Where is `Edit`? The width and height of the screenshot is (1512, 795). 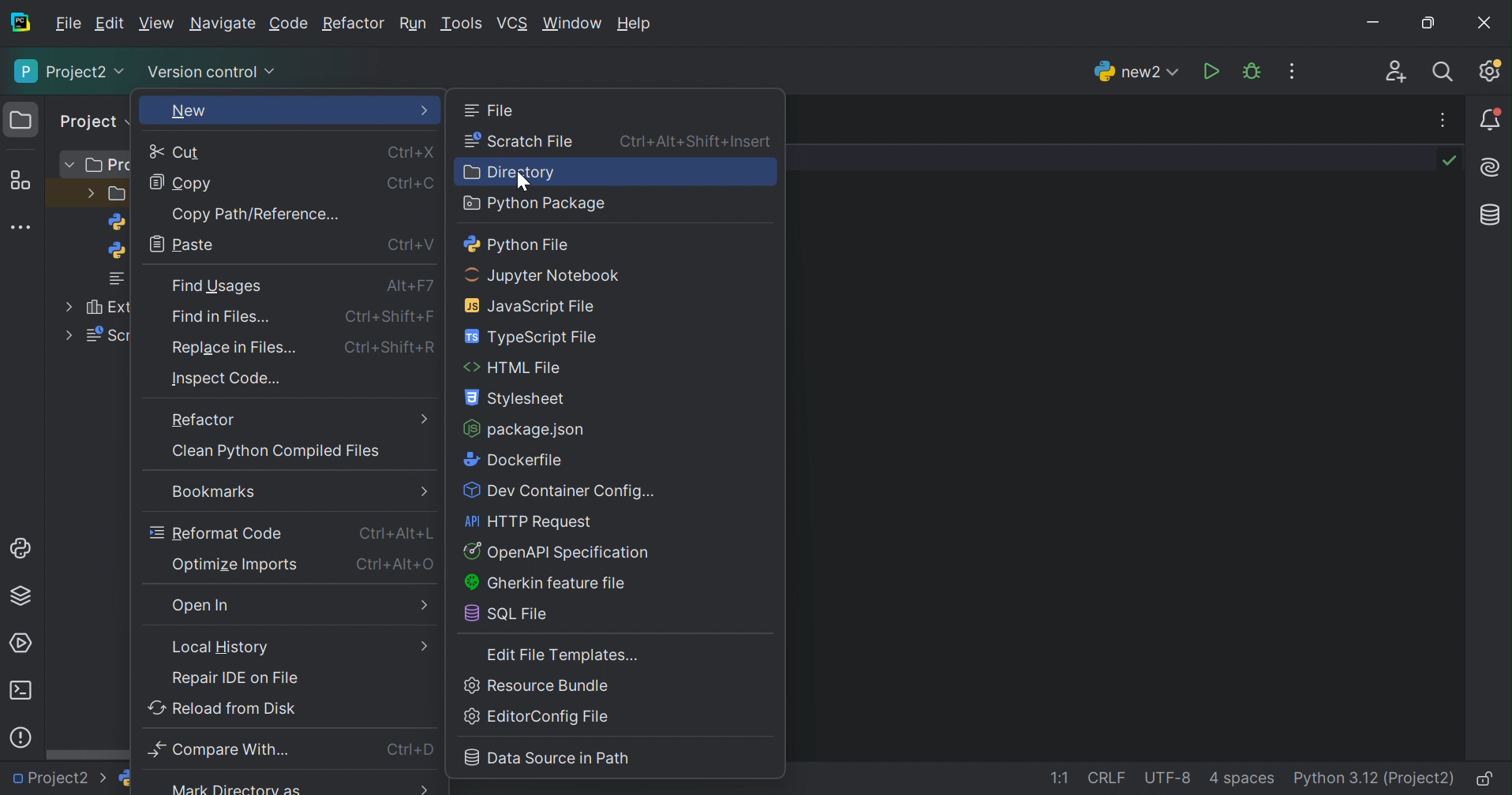 Edit is located at coordinates (110, 24).